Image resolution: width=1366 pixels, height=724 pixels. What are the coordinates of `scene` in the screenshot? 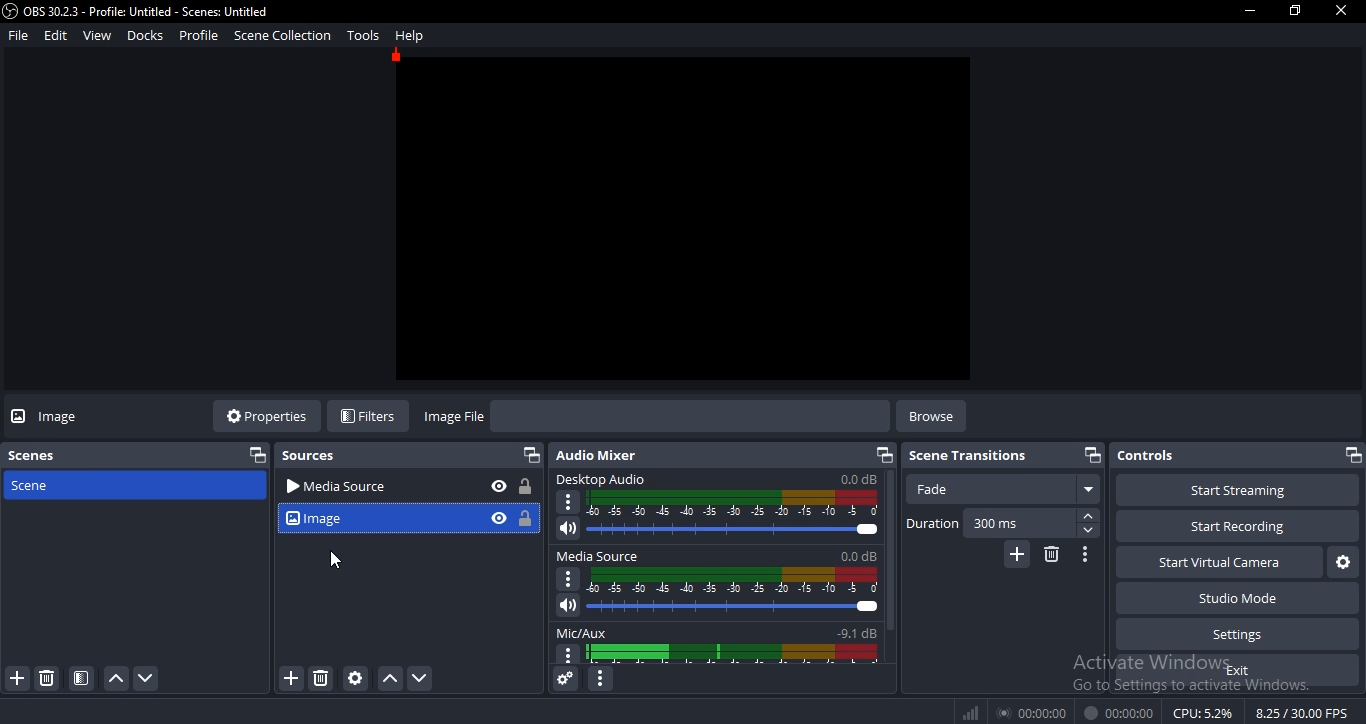 It's located at (81, 678).